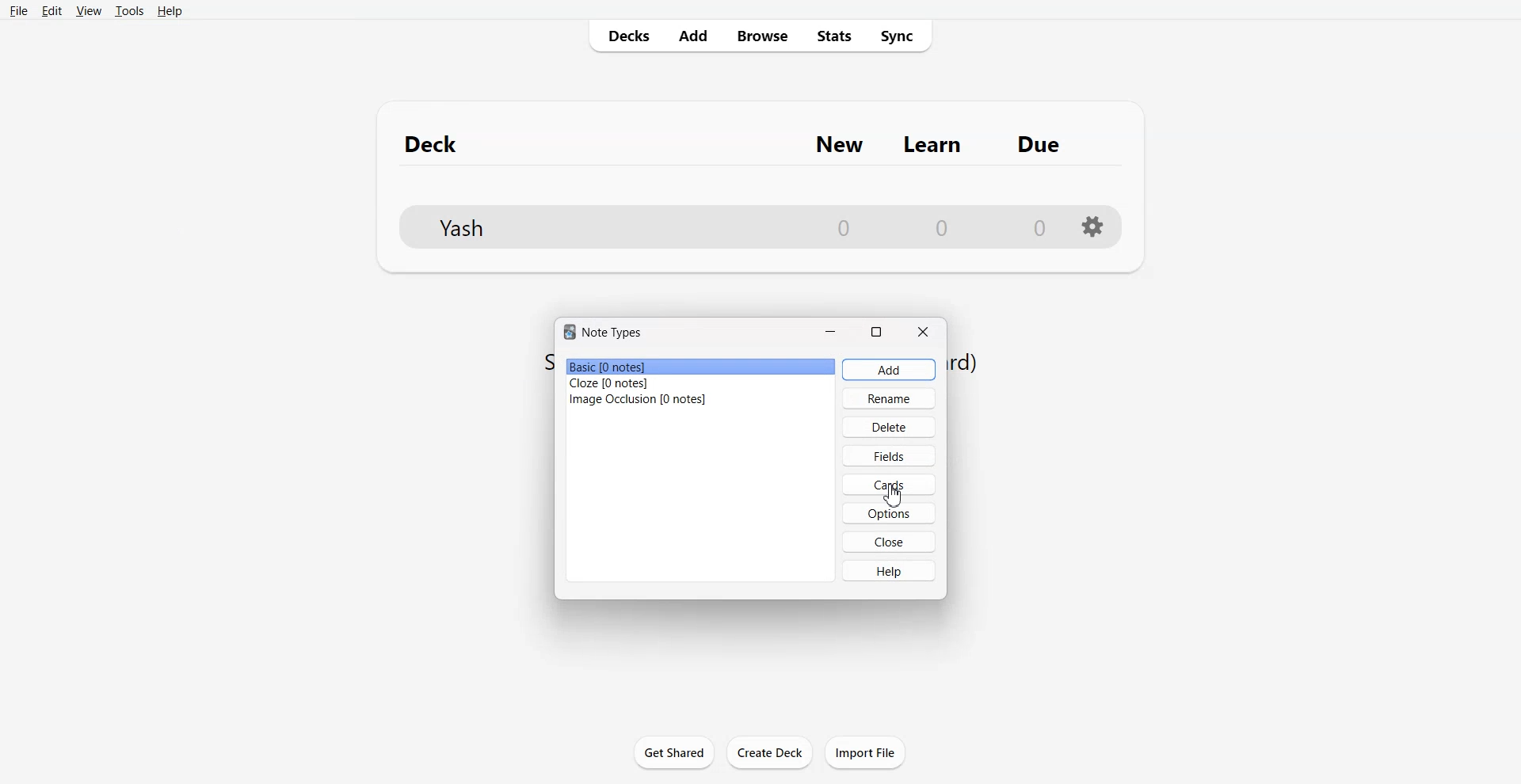 Image resolution: width=1521 pixels, height=784 pixels. Describe the element at coordinates (888, 484) in the screenshot. I see `Cards` at that location.